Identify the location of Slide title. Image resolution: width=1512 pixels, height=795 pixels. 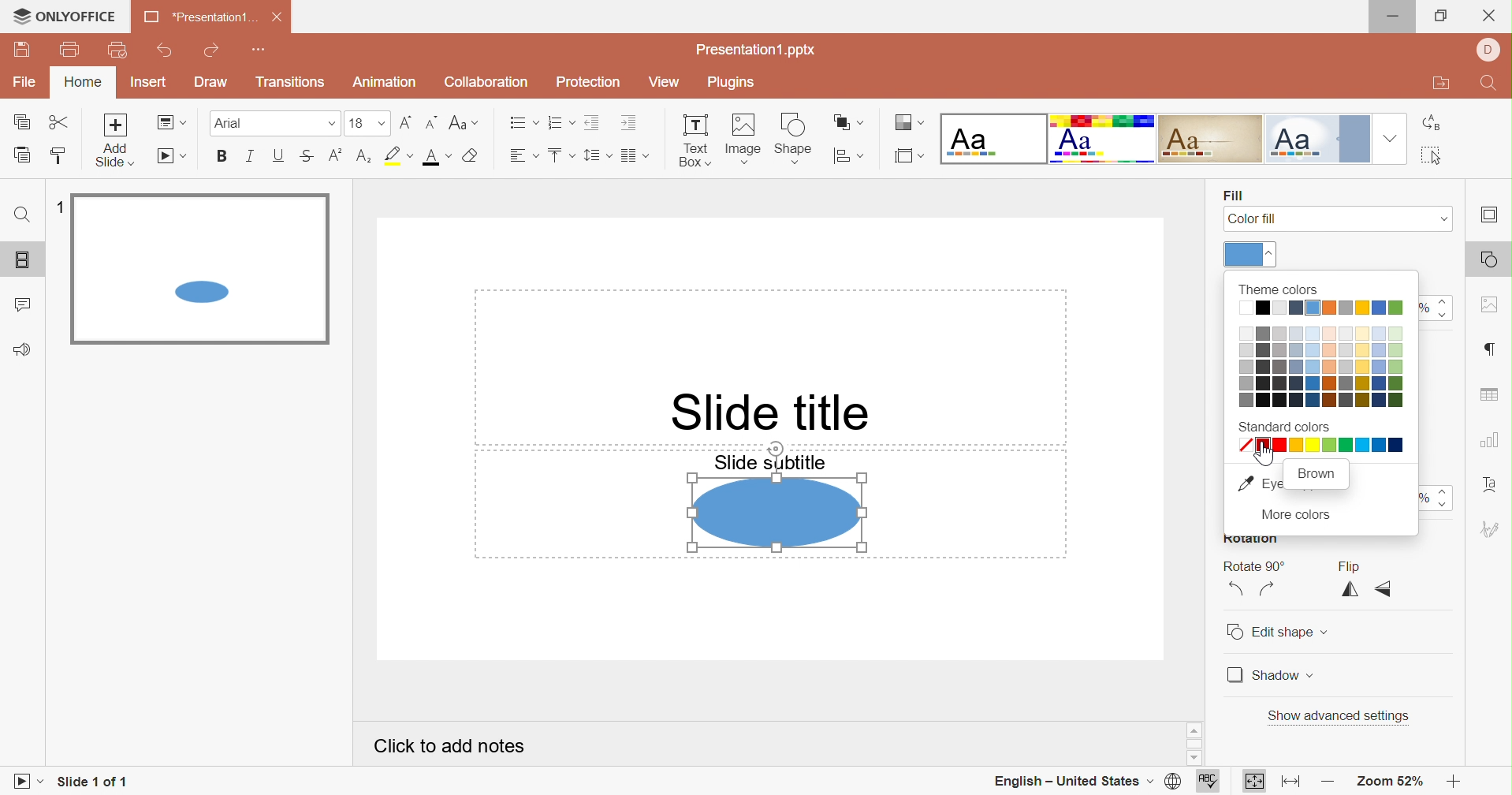
(764, 412).